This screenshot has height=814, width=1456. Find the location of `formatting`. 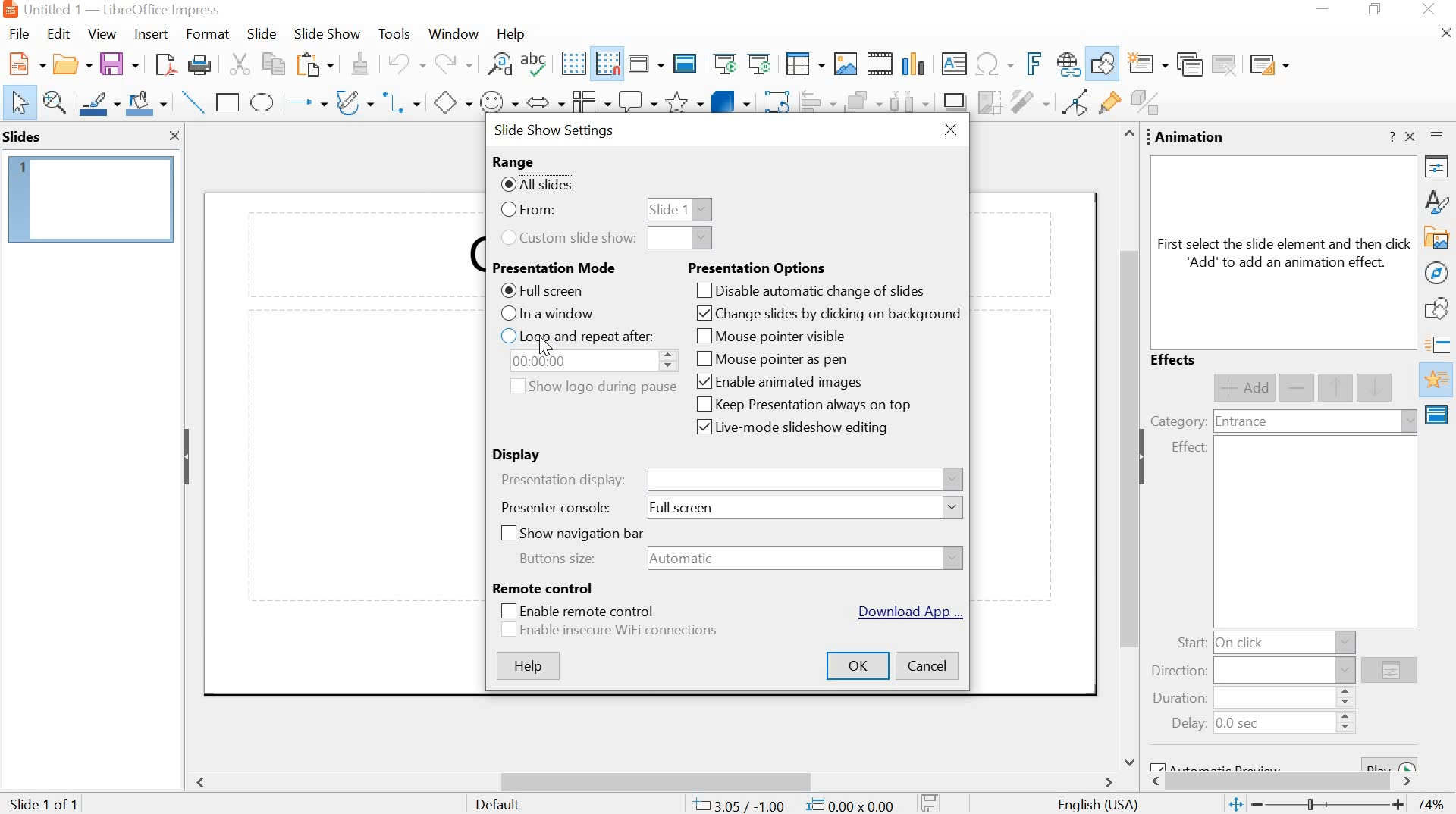

formatting is located at coordinates (358, 64).